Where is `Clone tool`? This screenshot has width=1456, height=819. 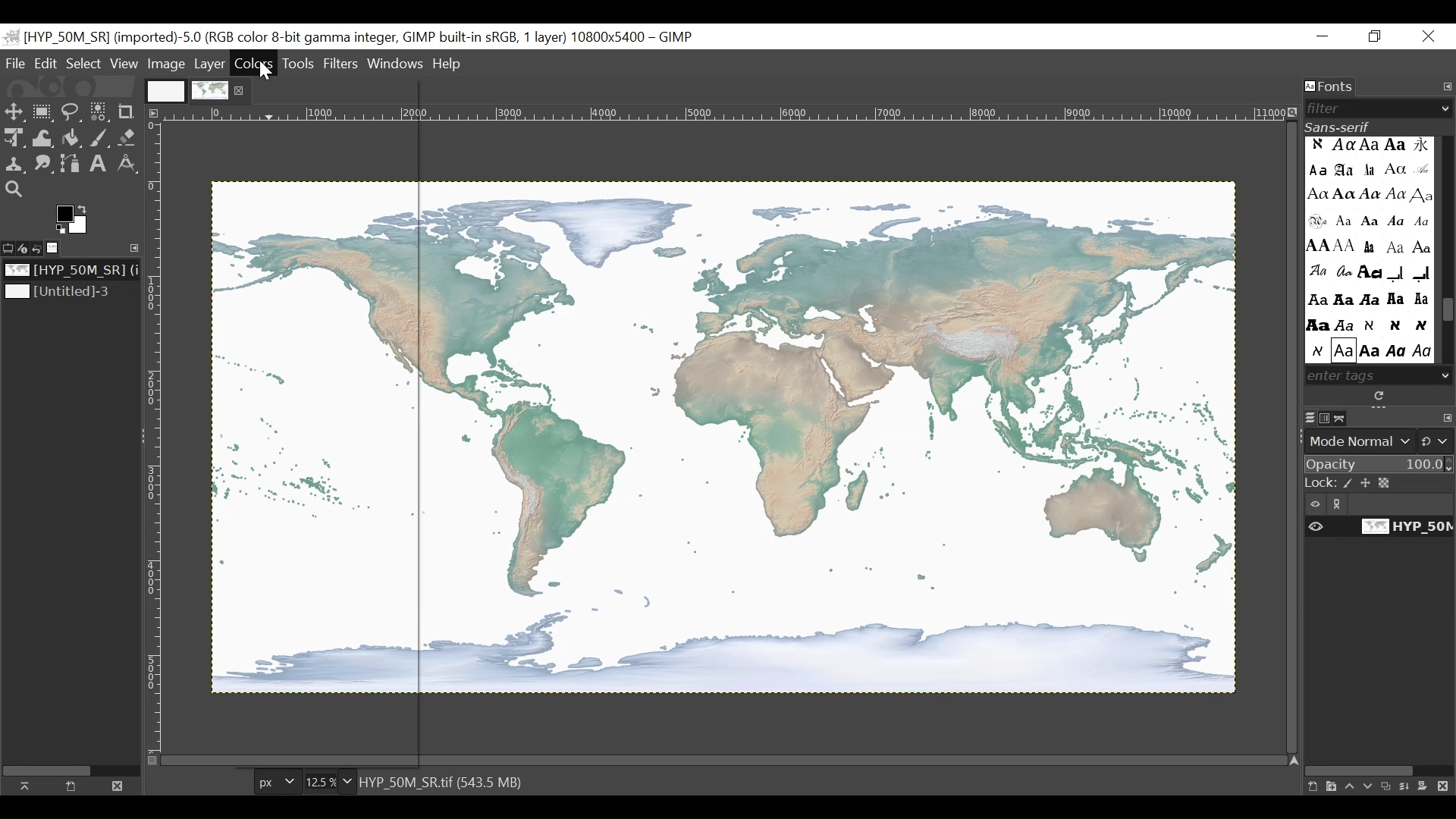
Clone tool is located at coordinates (14, 164).